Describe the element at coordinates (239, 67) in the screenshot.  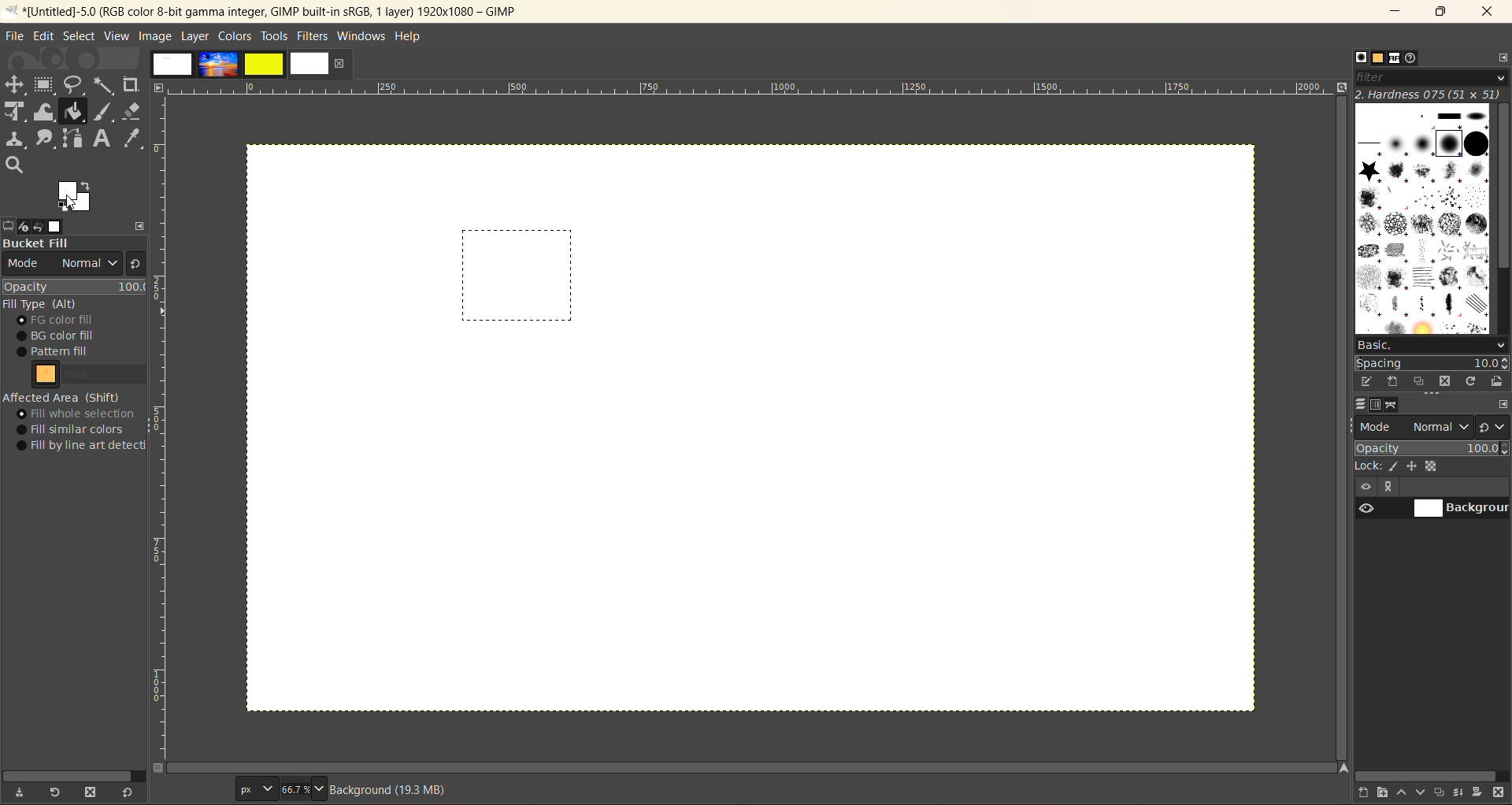
I see `images` at that location.